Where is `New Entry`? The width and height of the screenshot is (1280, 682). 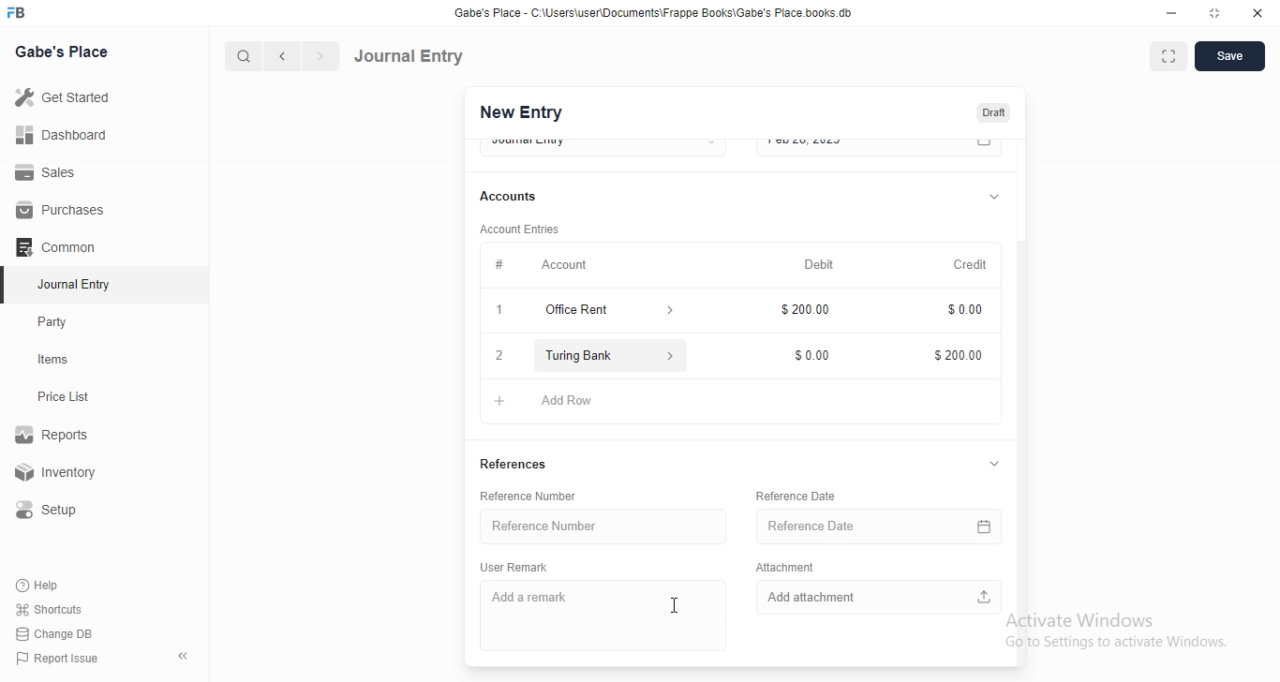
New Entry is located at coordinates (521, 113).